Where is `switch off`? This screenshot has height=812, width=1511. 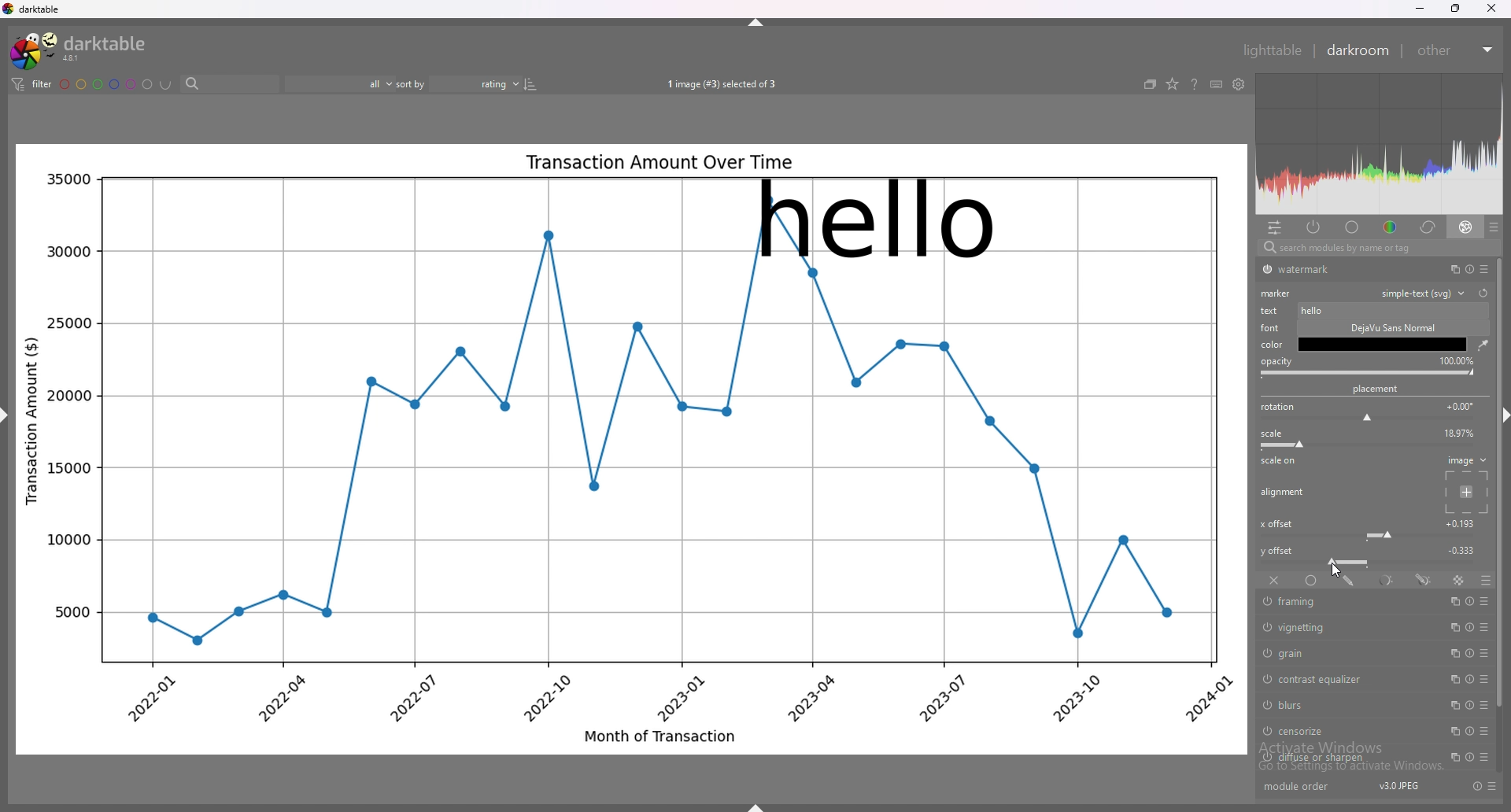
switch off is located at coordinates (1267, 627).